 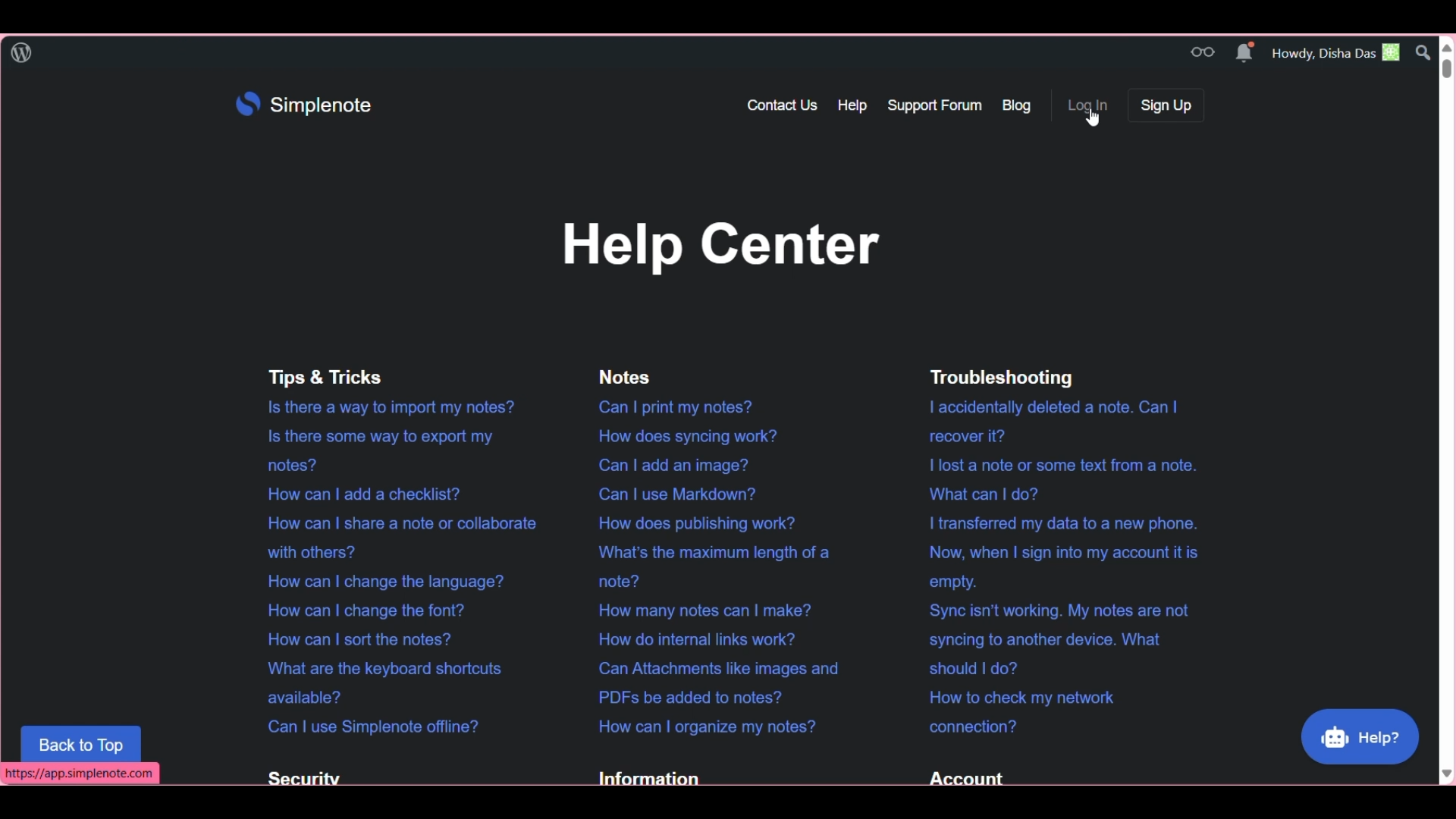 I want to click on ? How can | organize my notes?, so click(x=704, y=726).